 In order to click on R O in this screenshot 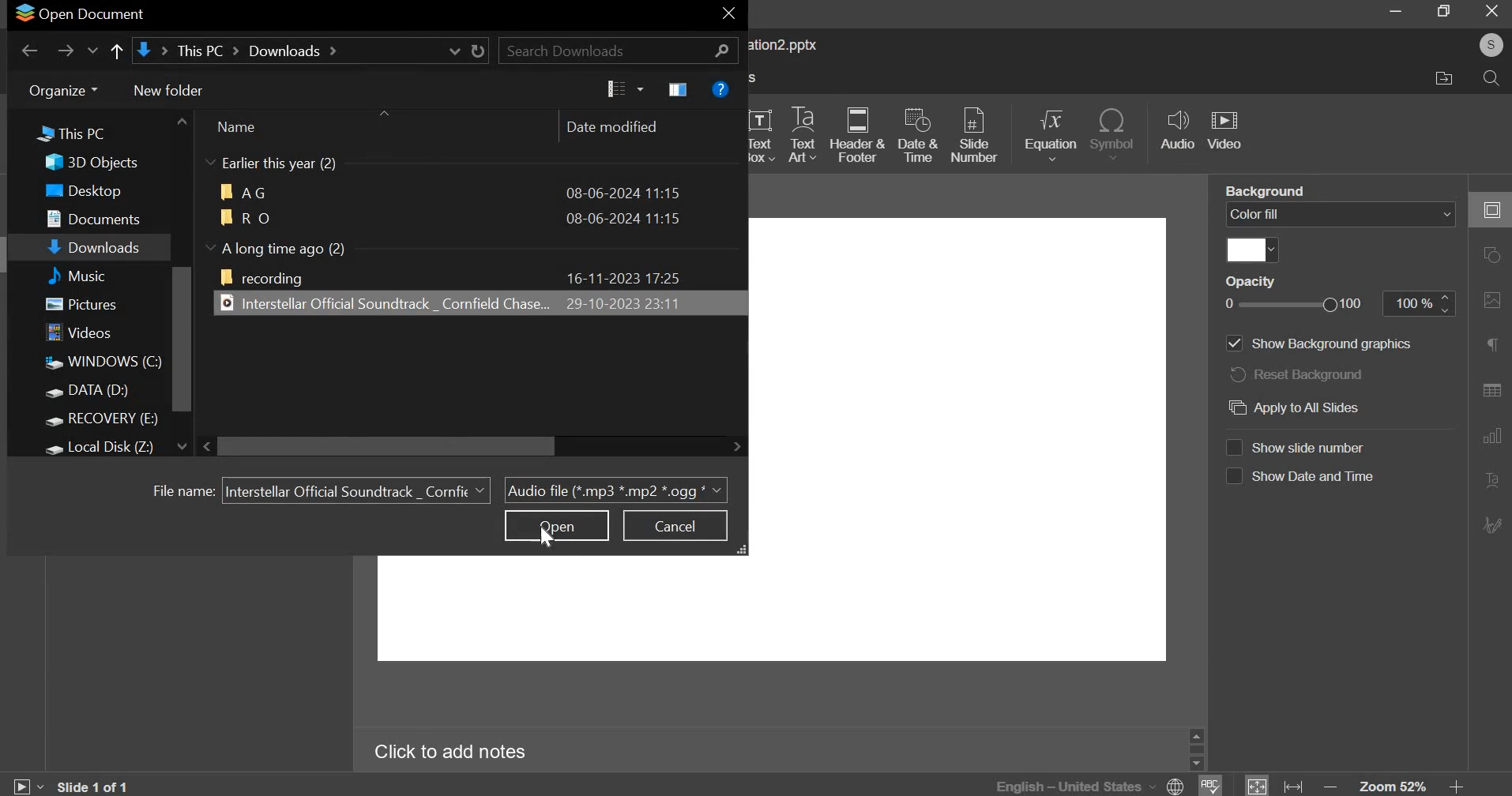, I will do `click(244, 216)`.